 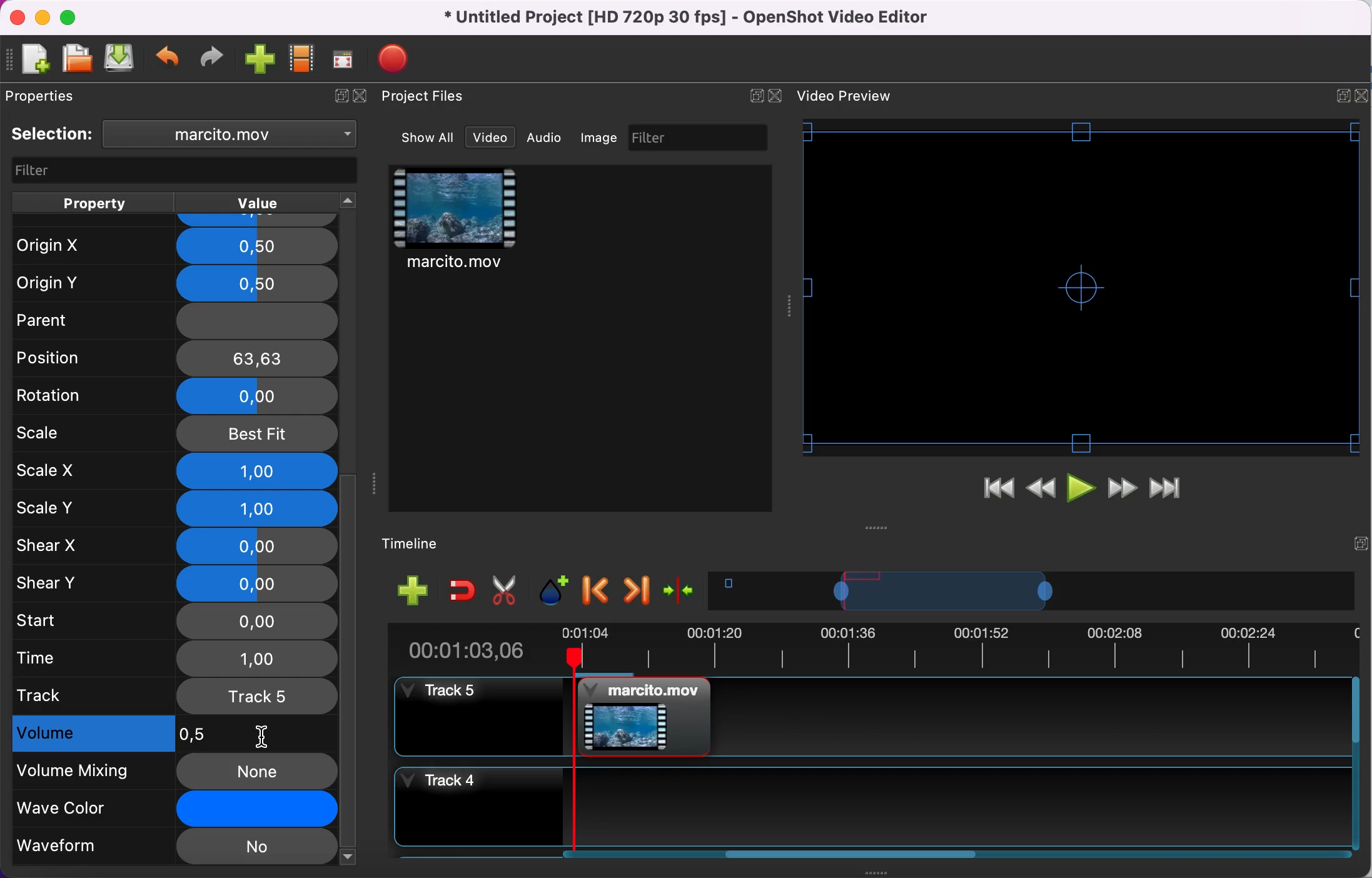 What do you see at coordinates (175, 547) in the screenshot?
I see `shear x 0` at bounding box center [175, 547].